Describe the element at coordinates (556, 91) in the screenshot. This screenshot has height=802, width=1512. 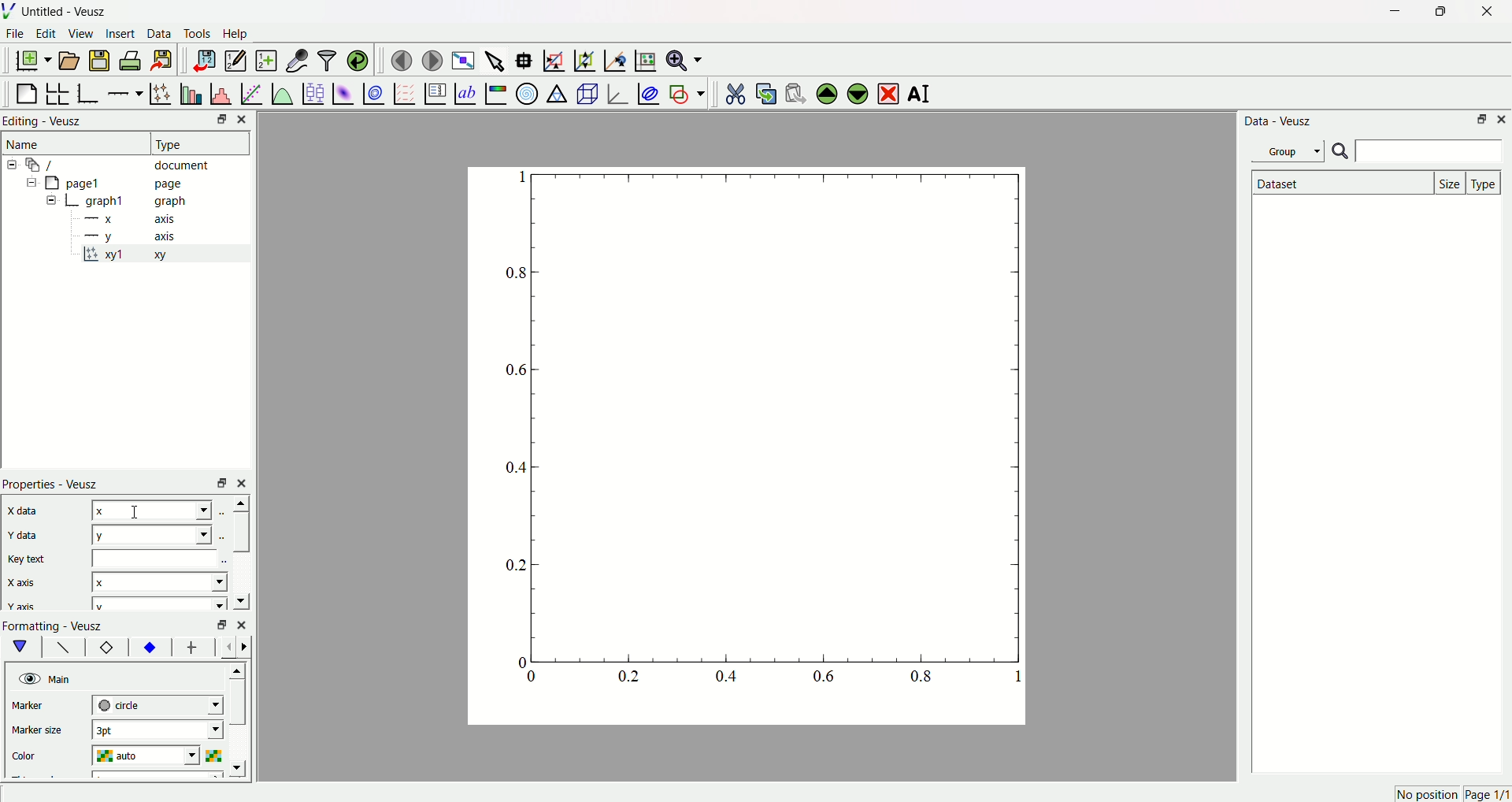
I see `ternary graphs` at that location.